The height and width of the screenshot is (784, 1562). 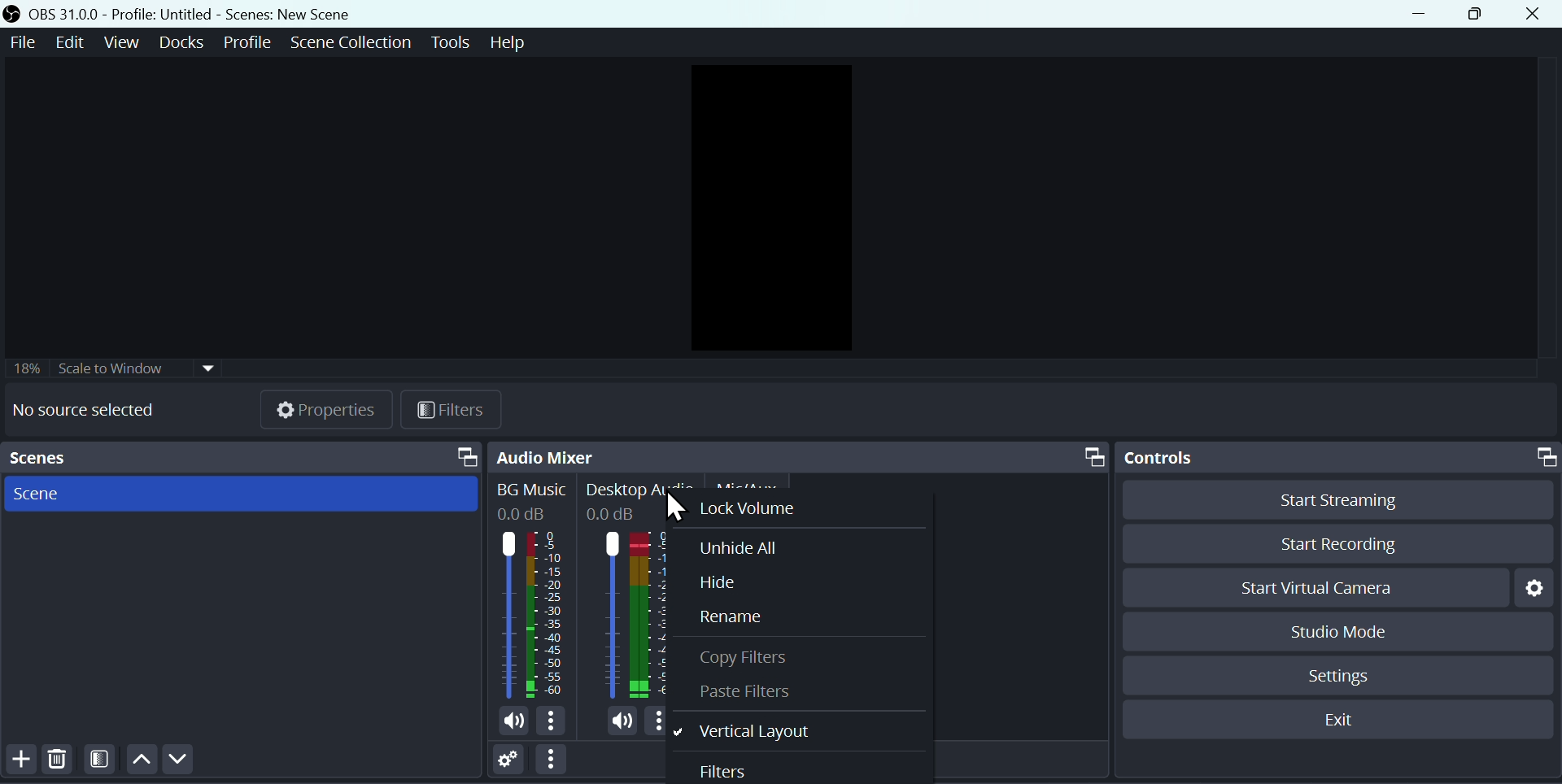 I want to click on OBS 31.0.0 Profile: Untitled - Scenes: New Scene, so click(x=200, y=11).